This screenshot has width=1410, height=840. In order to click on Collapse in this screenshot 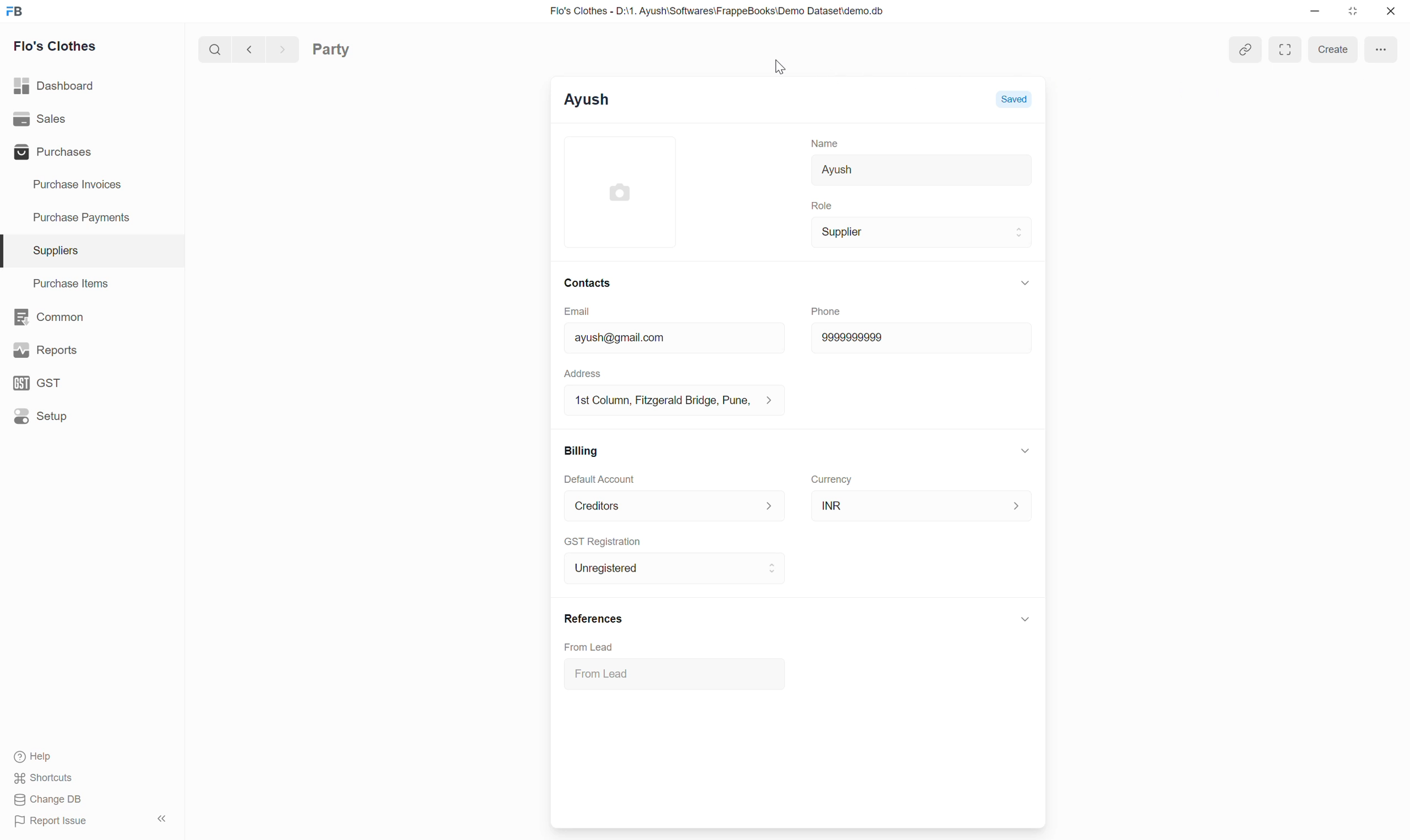, I will do `click(1025, 451)`.